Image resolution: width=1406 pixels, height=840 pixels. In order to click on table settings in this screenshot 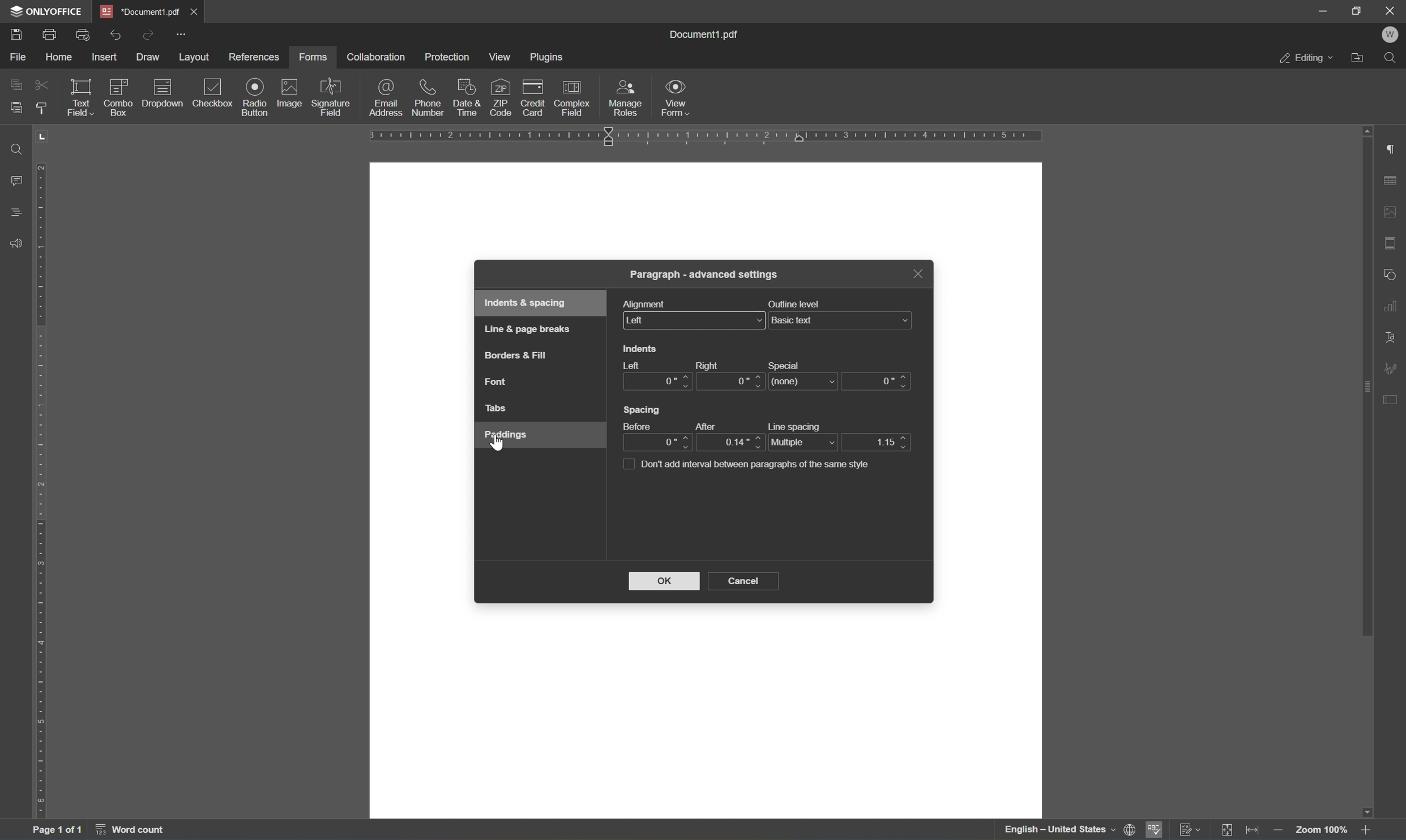, I will do `click(1391, 183)`.